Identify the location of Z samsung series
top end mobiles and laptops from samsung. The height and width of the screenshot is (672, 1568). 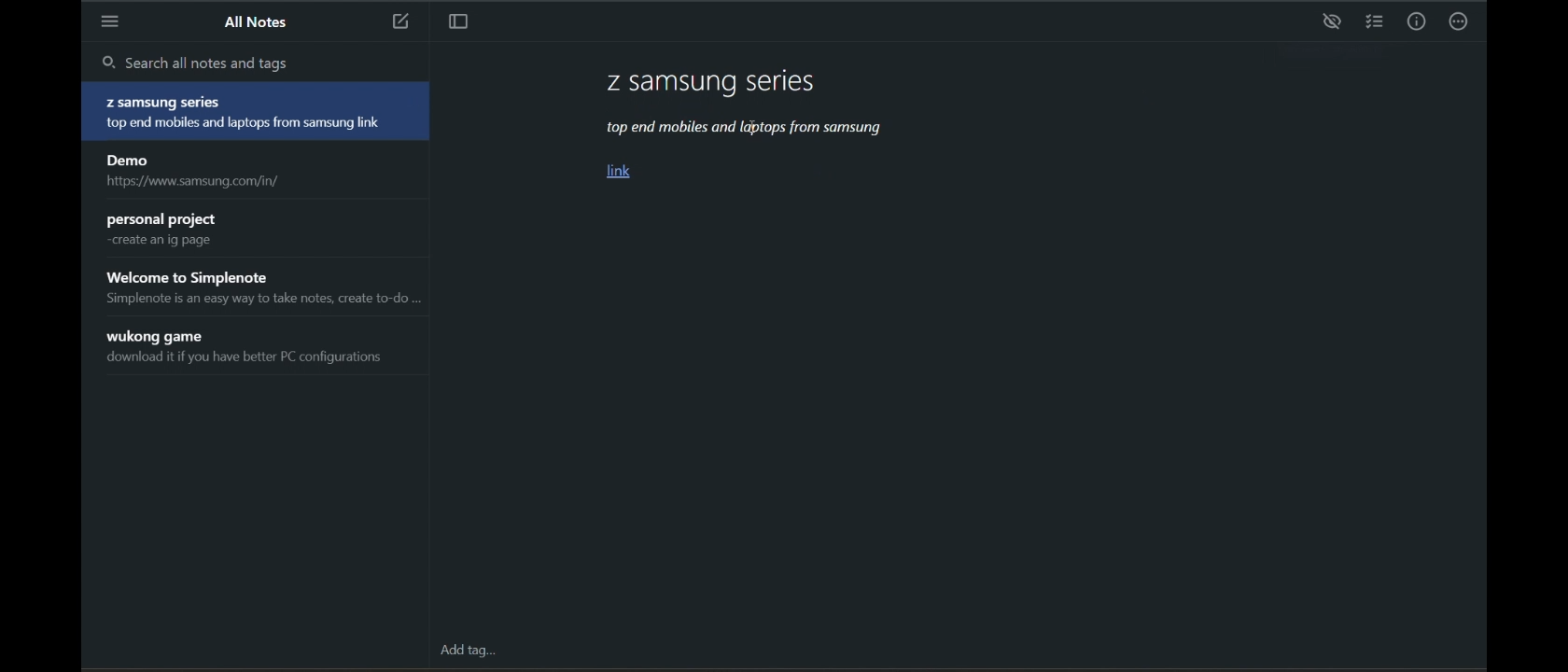
(754, 105).